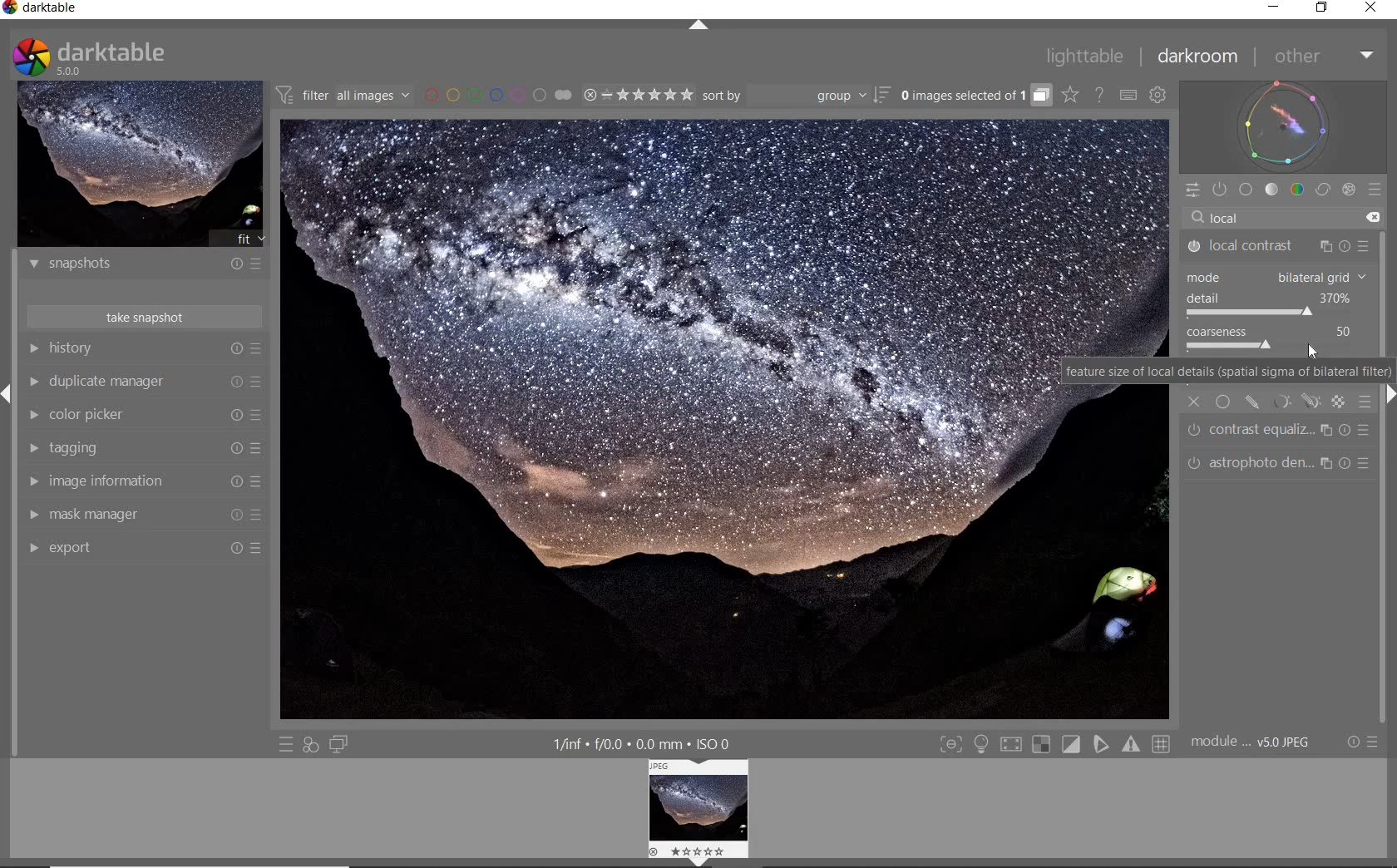 This screenshot has width=1397, height=868. Describe the element at coordinates (261, 266) in the screenshot. I see `presets and preferences` at that location.